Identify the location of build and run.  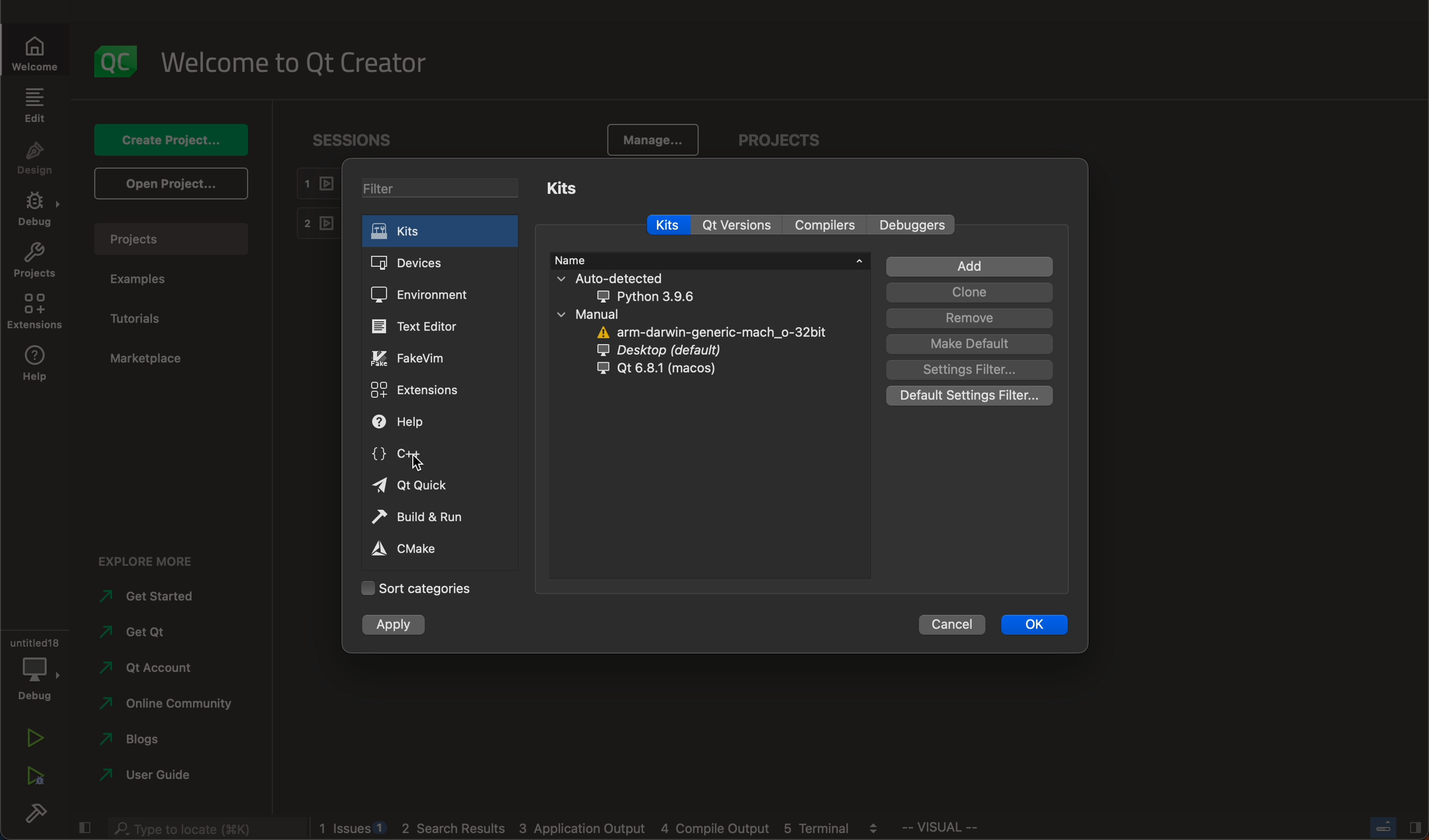
(423, 519).